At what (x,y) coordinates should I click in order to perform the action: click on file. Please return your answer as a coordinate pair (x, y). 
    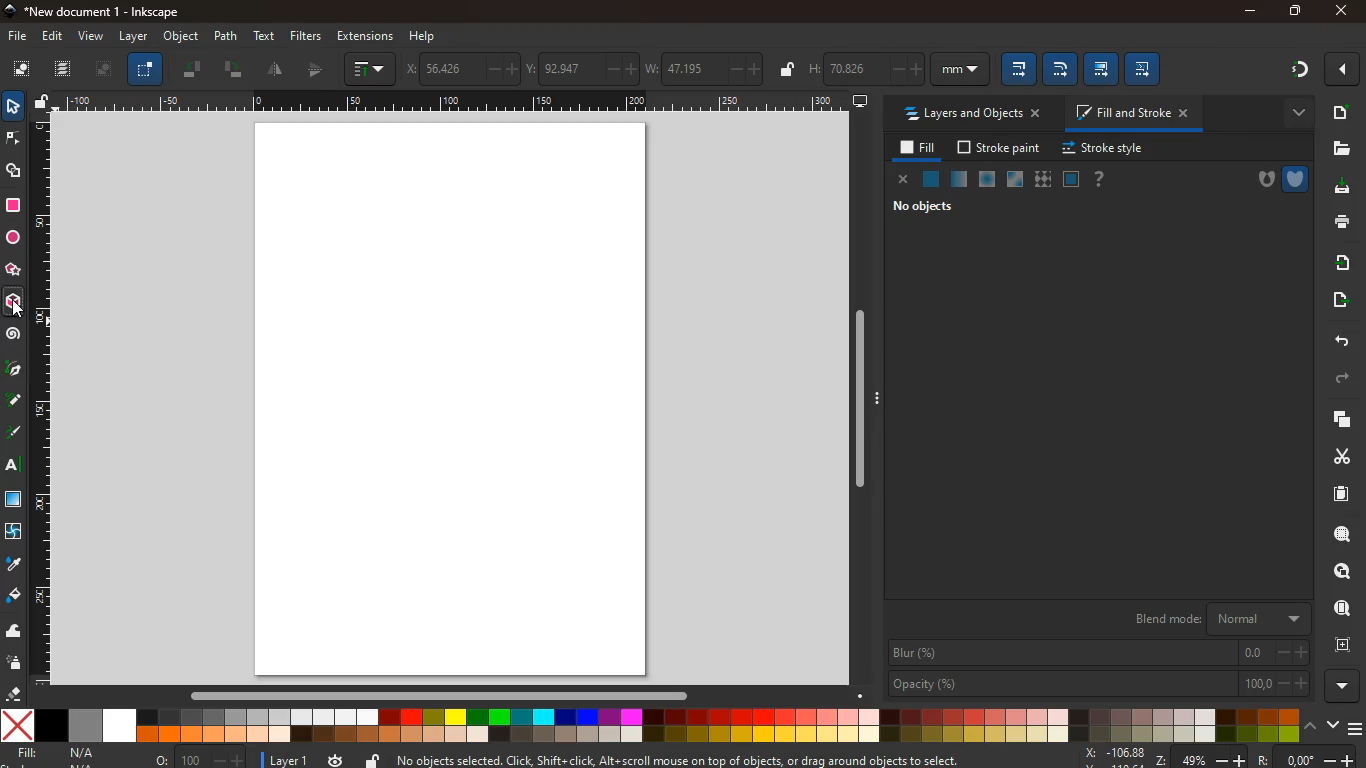
    Looking at the image, I should click on (1342, 148).